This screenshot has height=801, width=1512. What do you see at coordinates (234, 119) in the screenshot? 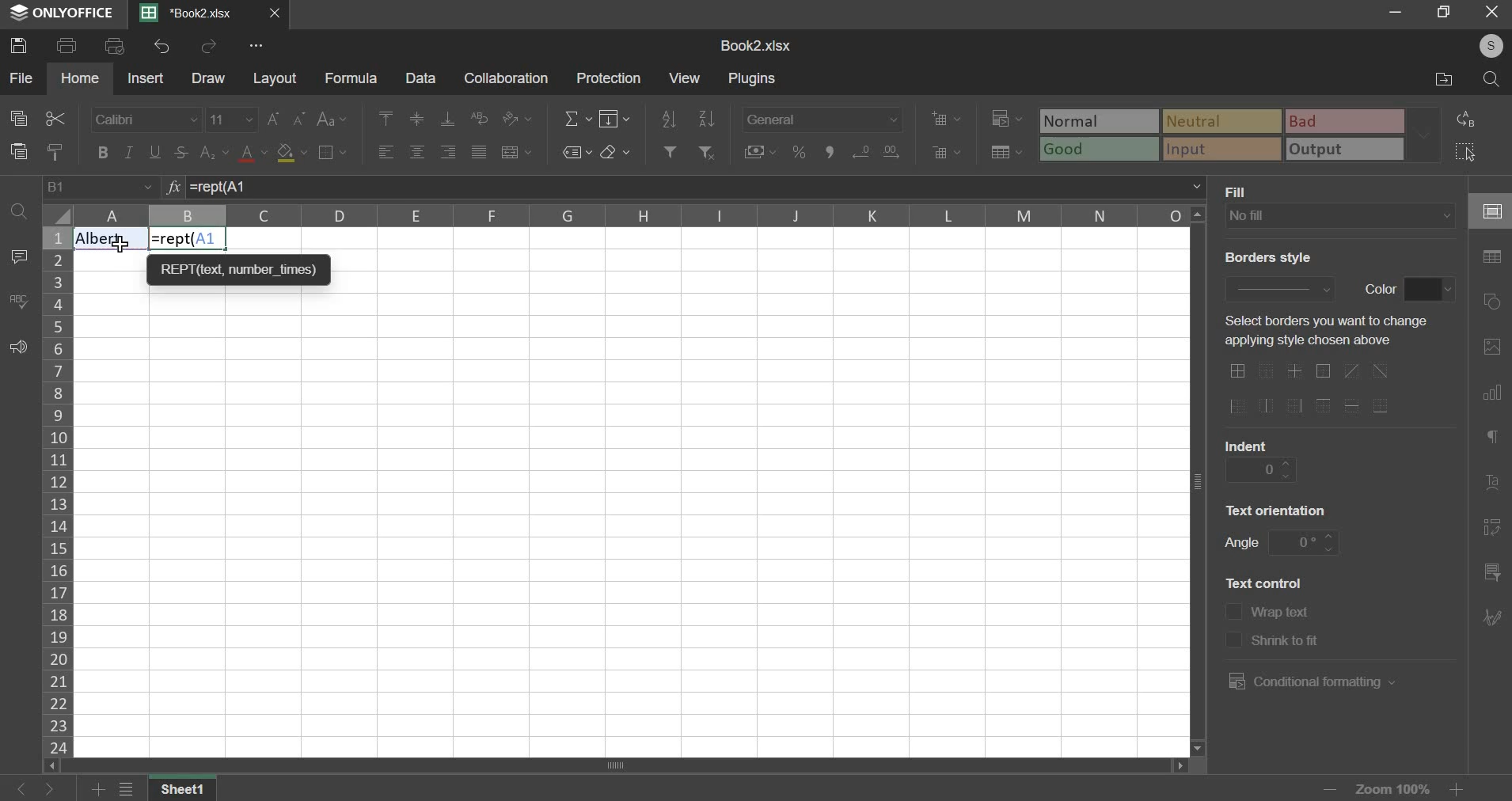
I see `font size` at bounding box center [234, 119].